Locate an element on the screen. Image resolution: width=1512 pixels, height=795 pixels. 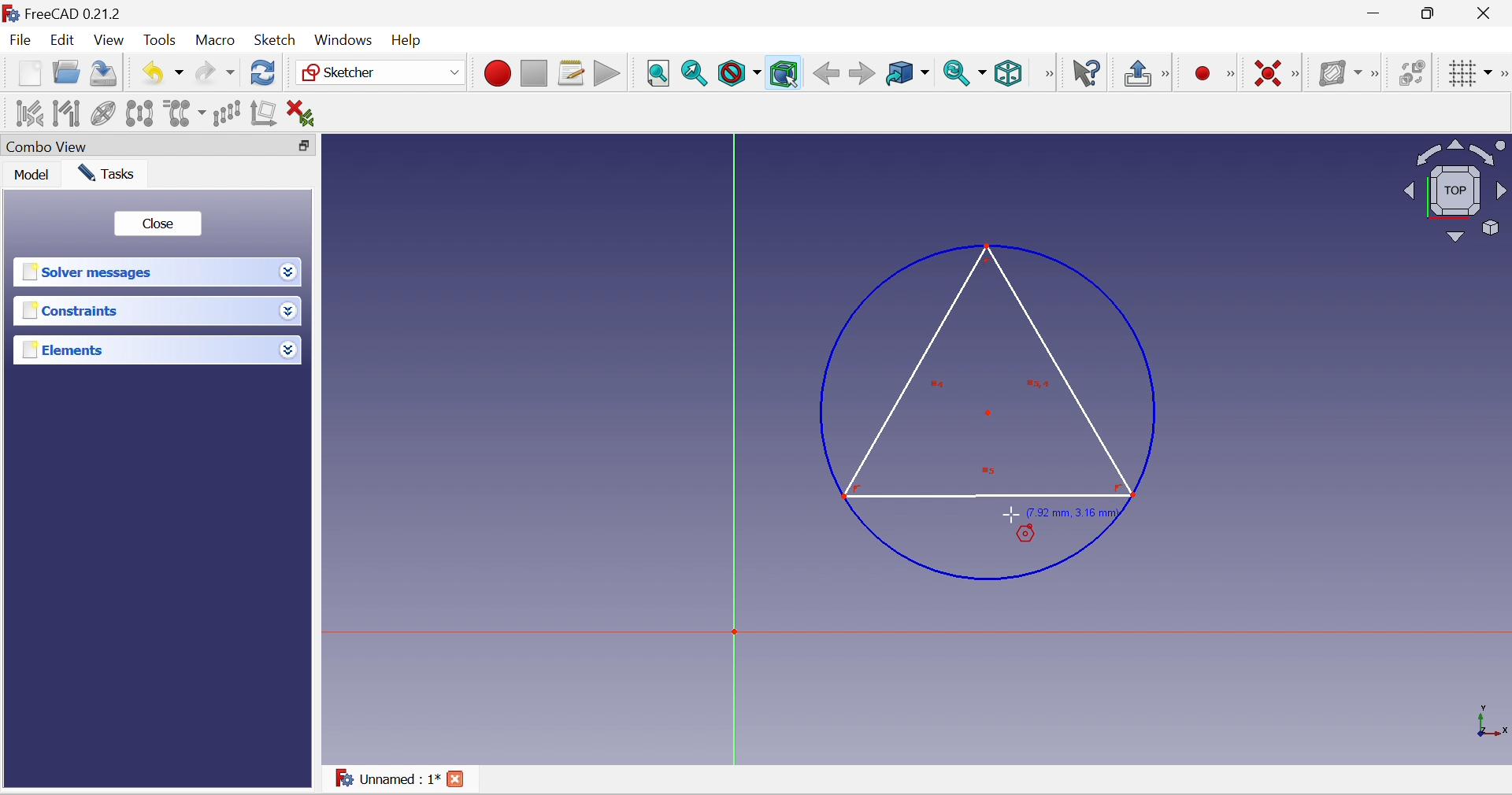
Switch virtual space is located at coordinates (1413, 75).